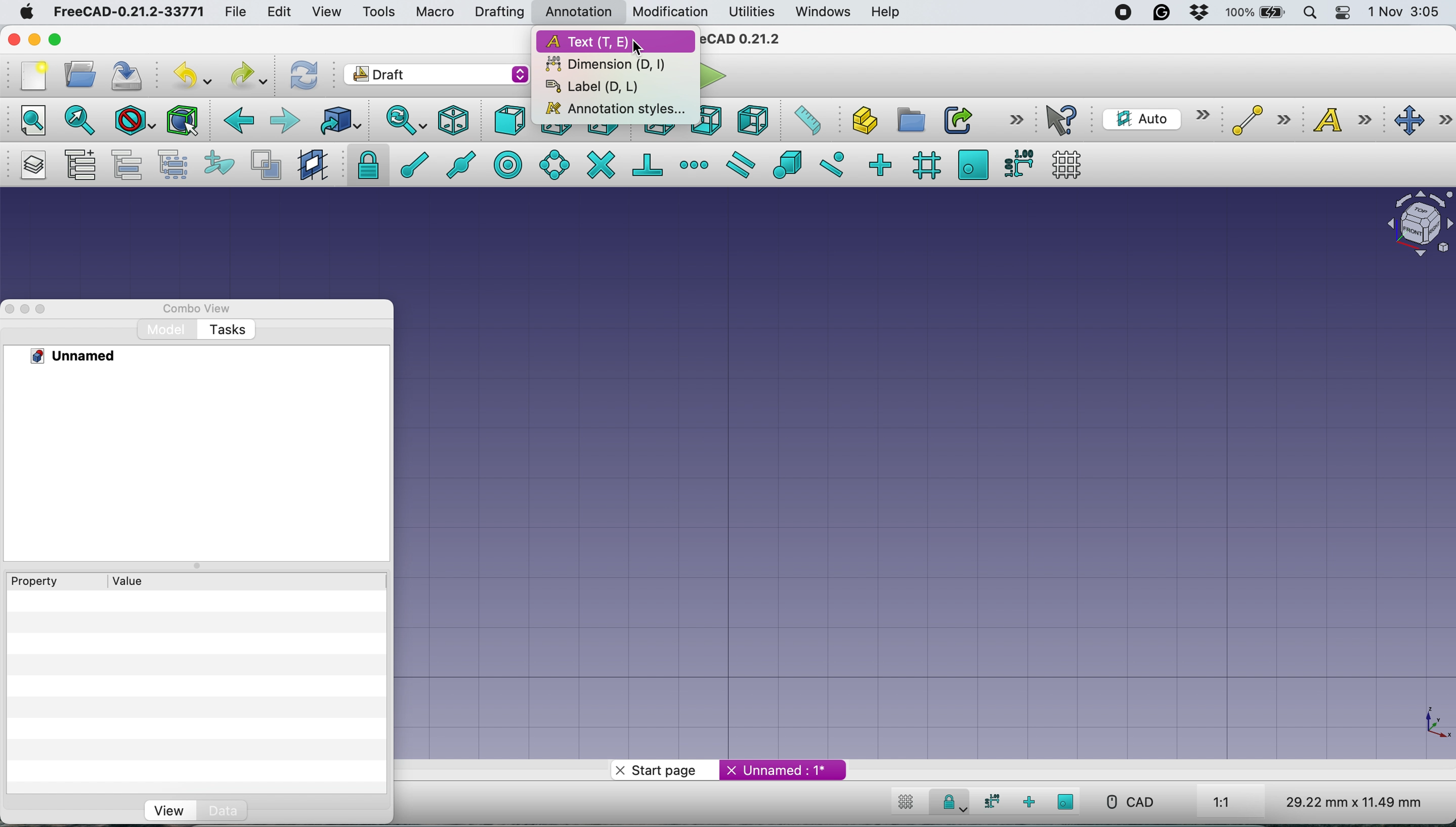 This screenshot has width=1456, height=827. What do you see at coordinates (31, 78) in the screenshot?
I see `new` at bounding box center [31, 78].